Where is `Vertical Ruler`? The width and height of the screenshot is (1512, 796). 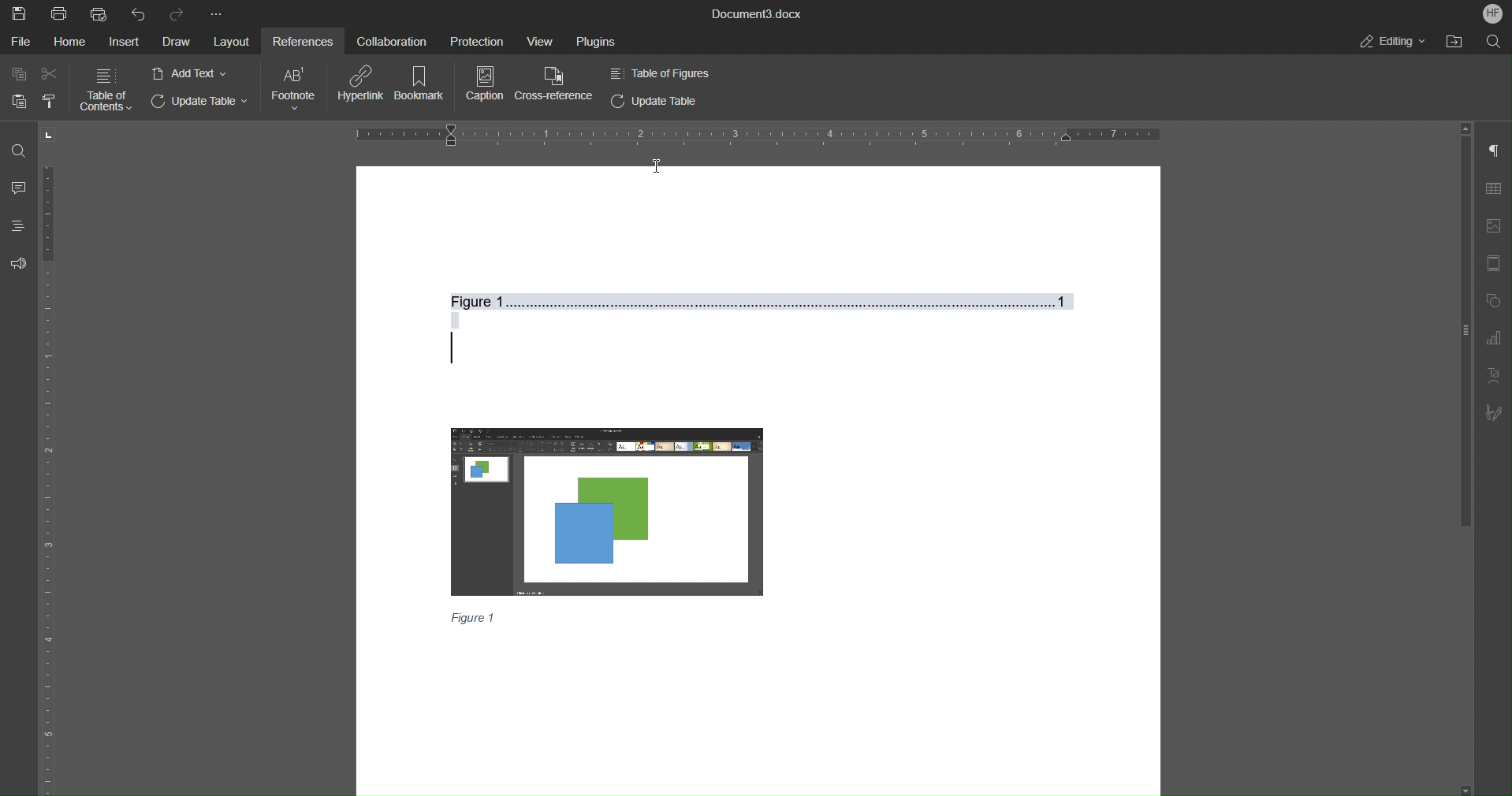
Vertical Ruler is located at coordinates (50, 478).